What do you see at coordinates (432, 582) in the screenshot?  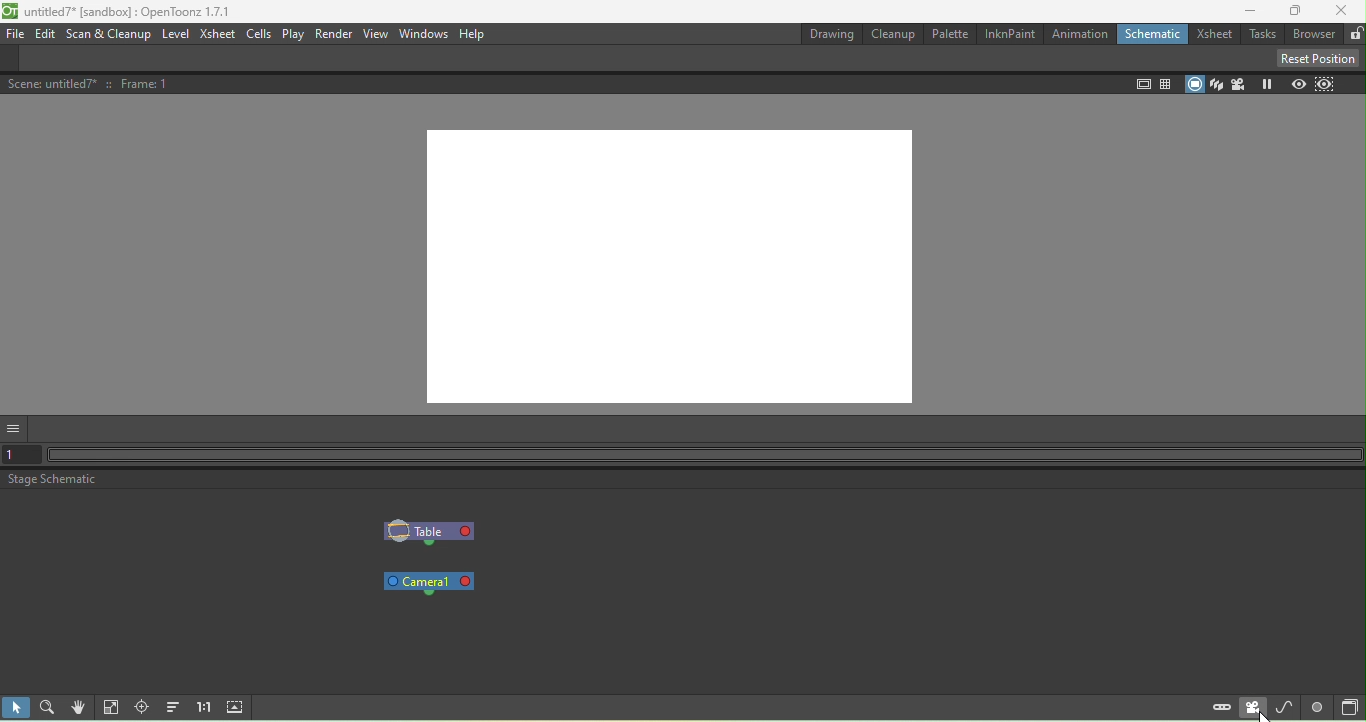 I see `Camera1` at bounding box center [432, 582].